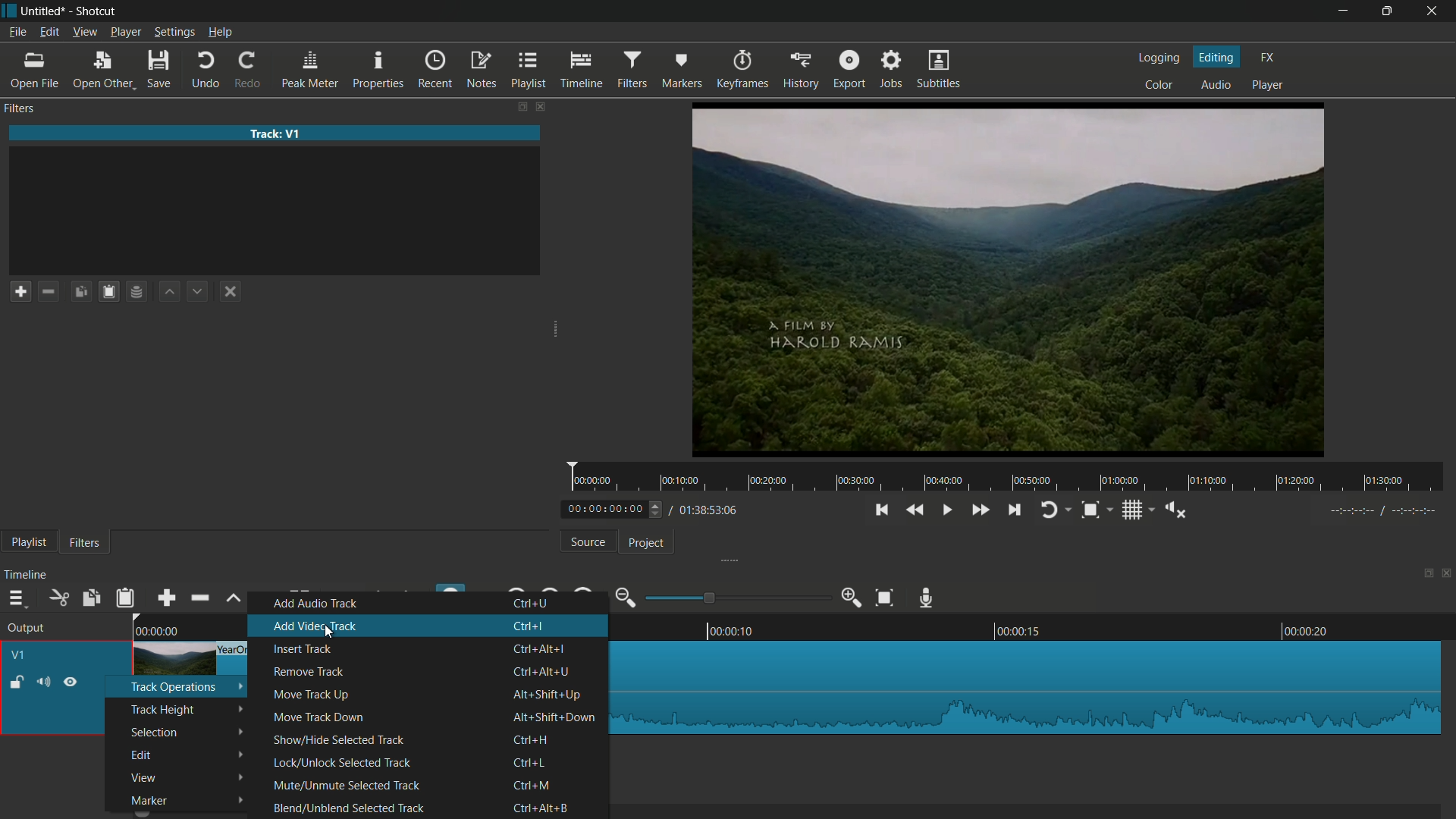 The height and width of the screenshot is (819, 1456). Describe the element at coordinates (49, 32) in the screenshot. I see `edit menu` at that location.